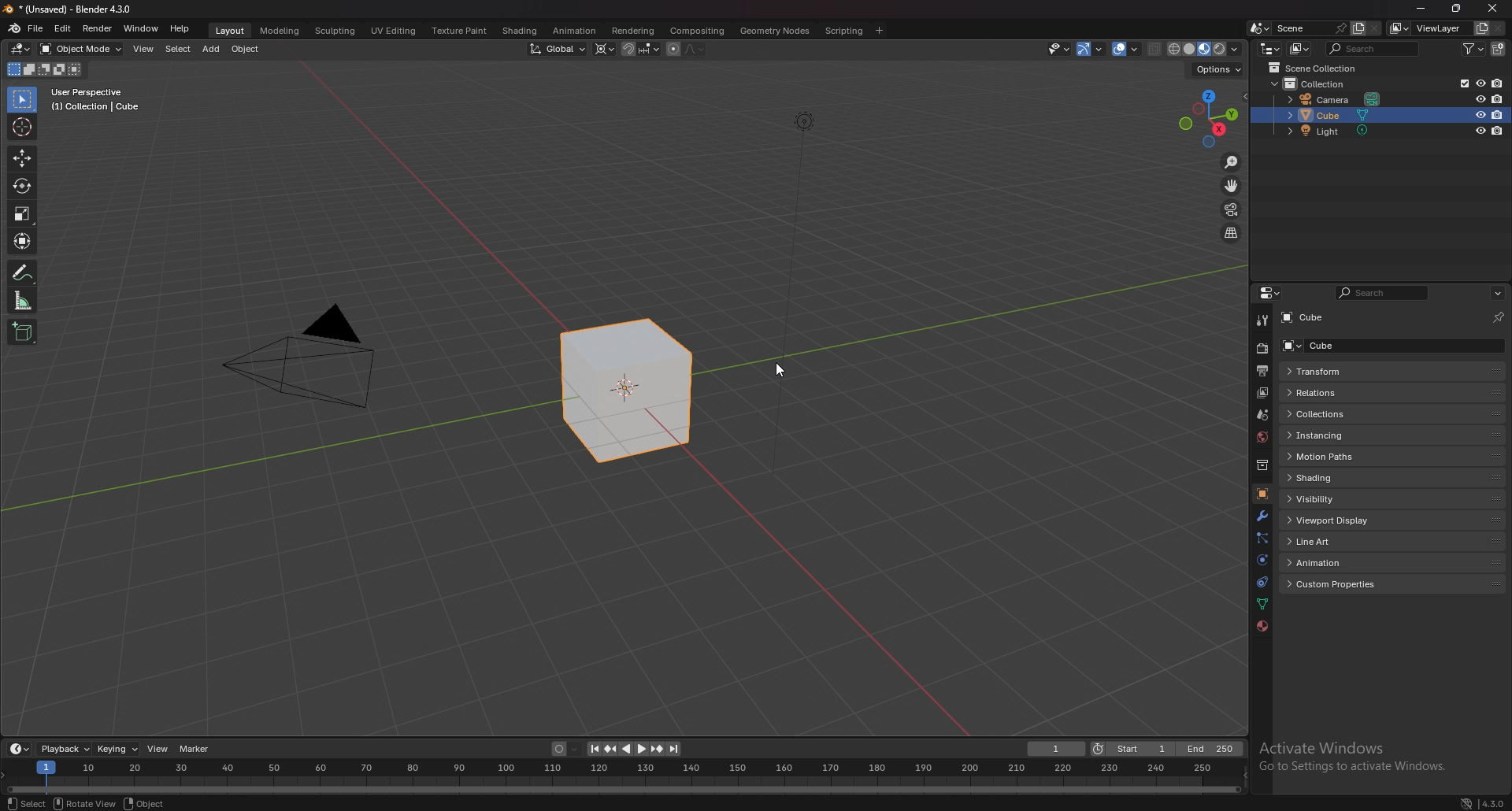 The image size is (1512, 811). Describe the element at coordinates (297, 357) in the screenshot. I see `pyramid` at that location.